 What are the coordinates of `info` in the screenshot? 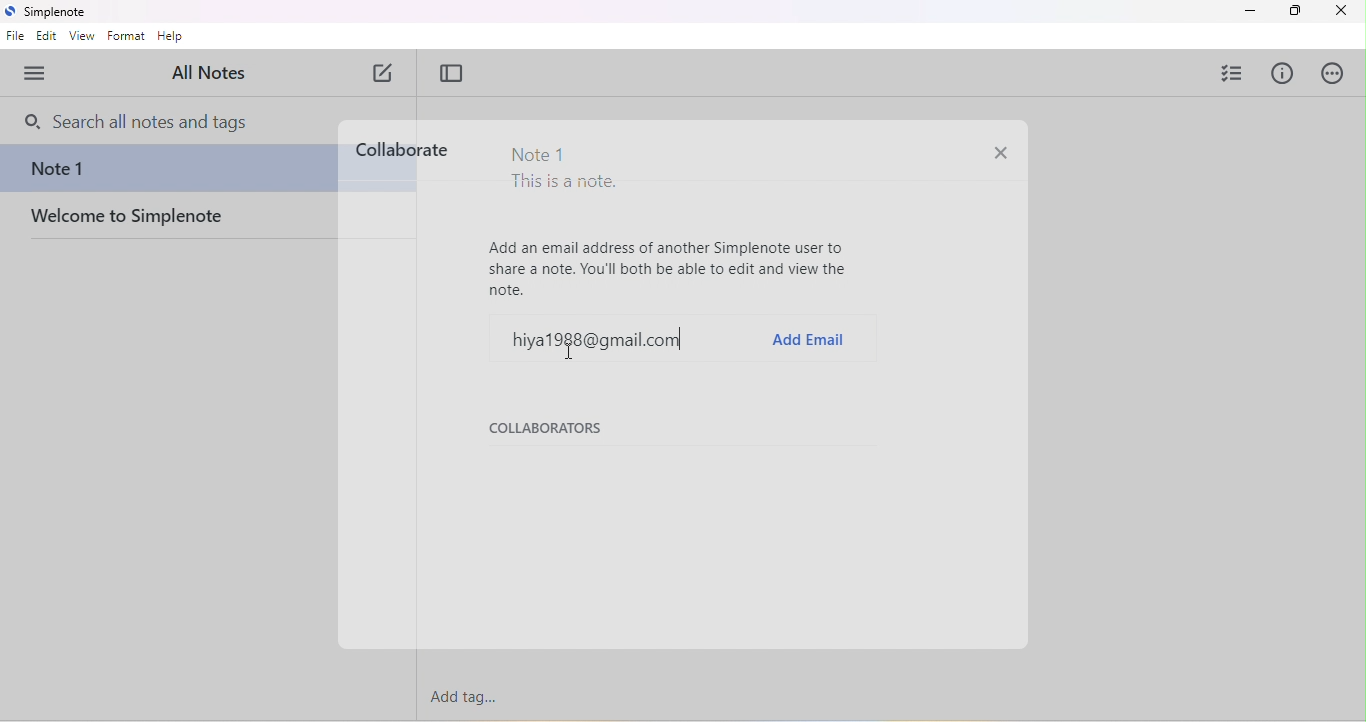 It's located at (1281, 73).